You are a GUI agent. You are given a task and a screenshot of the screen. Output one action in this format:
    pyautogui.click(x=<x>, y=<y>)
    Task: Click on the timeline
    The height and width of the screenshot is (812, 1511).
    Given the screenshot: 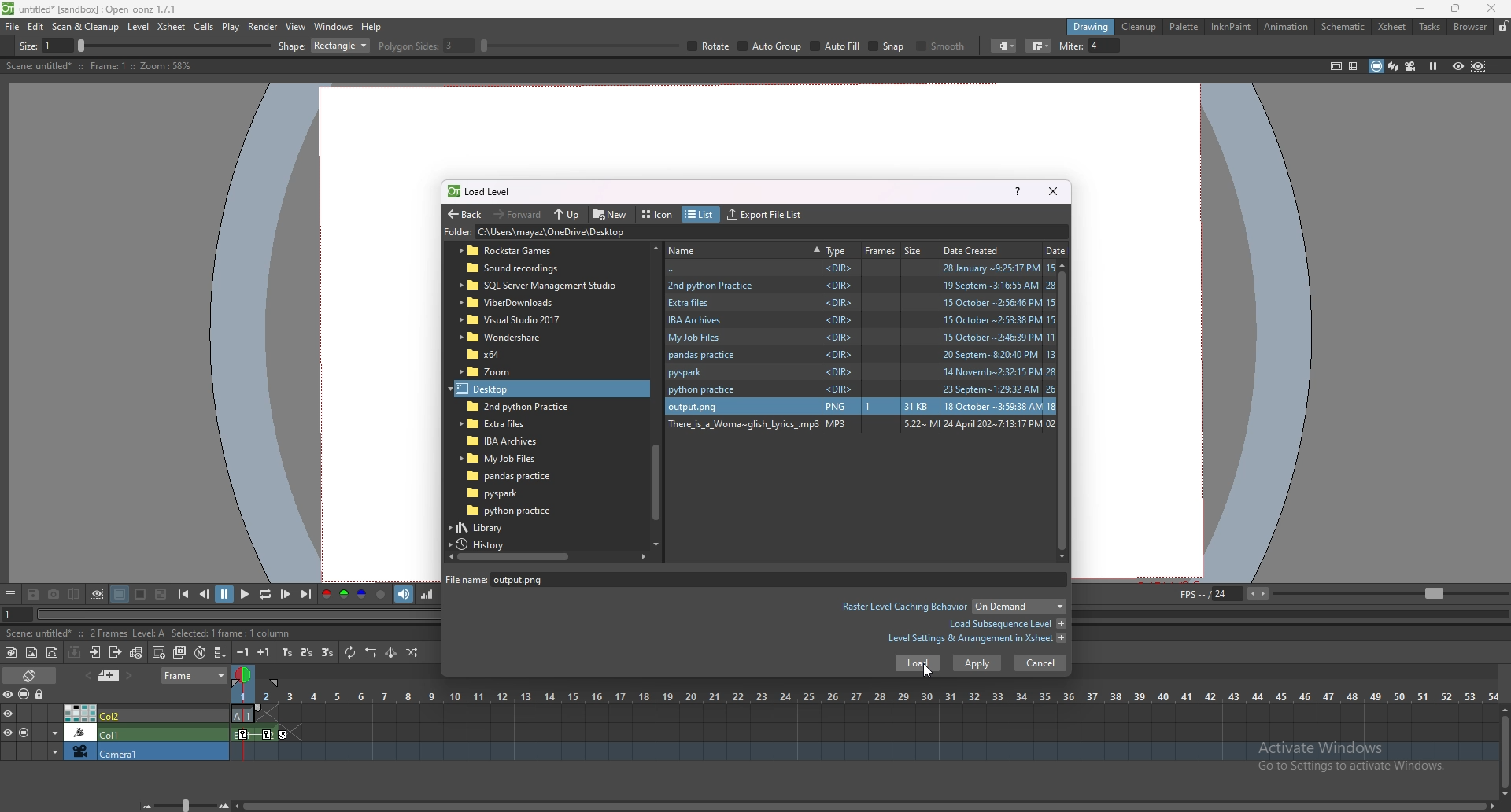 What is the action you would take?
    pyautogui.click(x=864, y=714)
    